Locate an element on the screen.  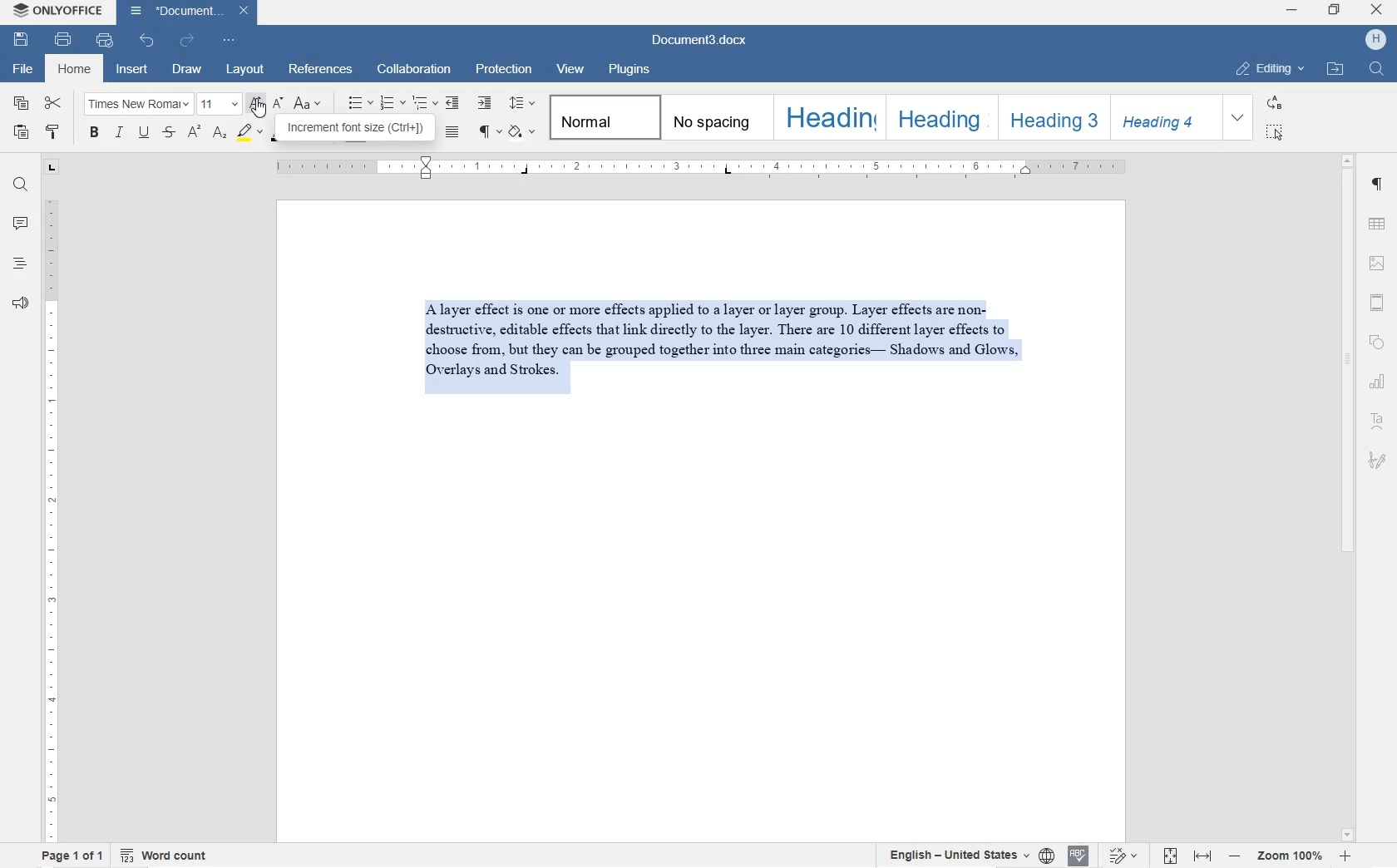
ONLYOFFICE is located at coordinates (57, 11).